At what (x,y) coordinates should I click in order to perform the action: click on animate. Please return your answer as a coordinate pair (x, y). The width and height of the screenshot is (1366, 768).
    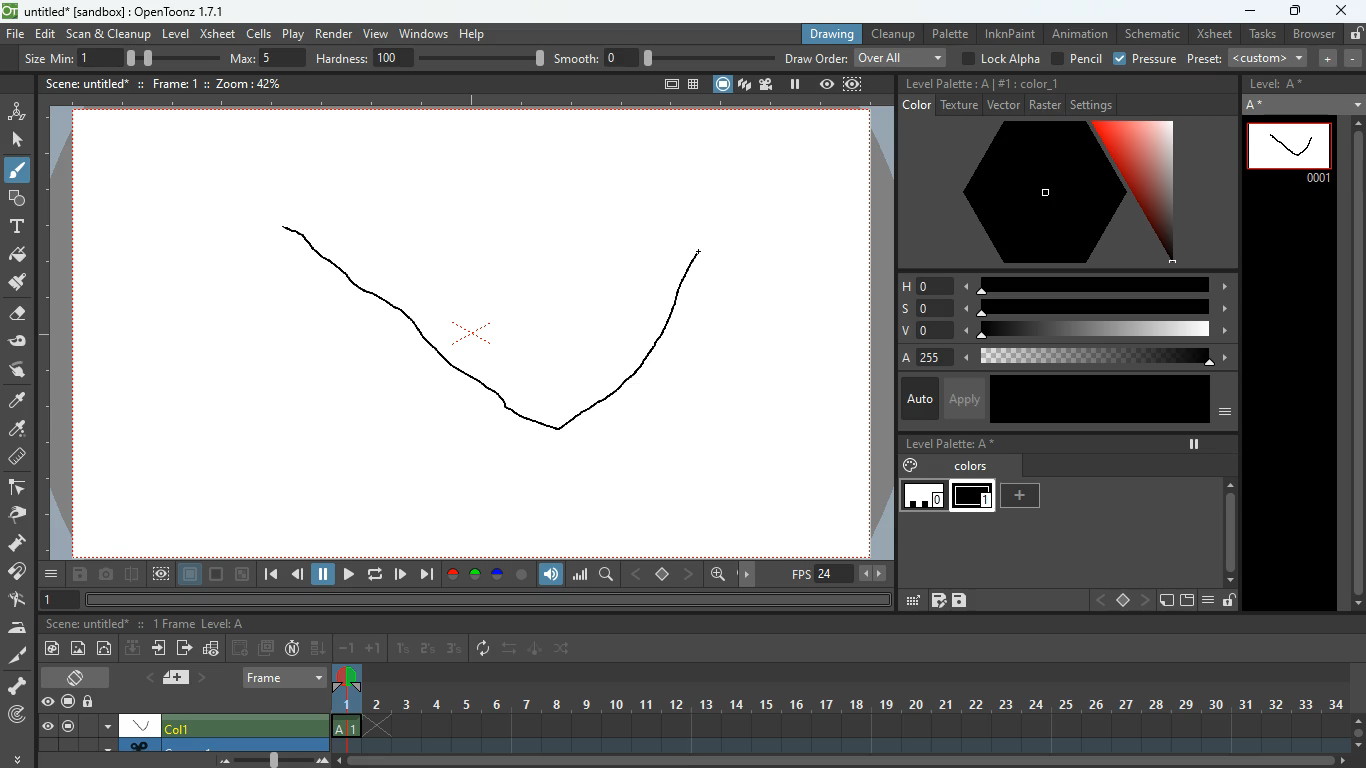
    Looking at the image, I should click on (17, 110).